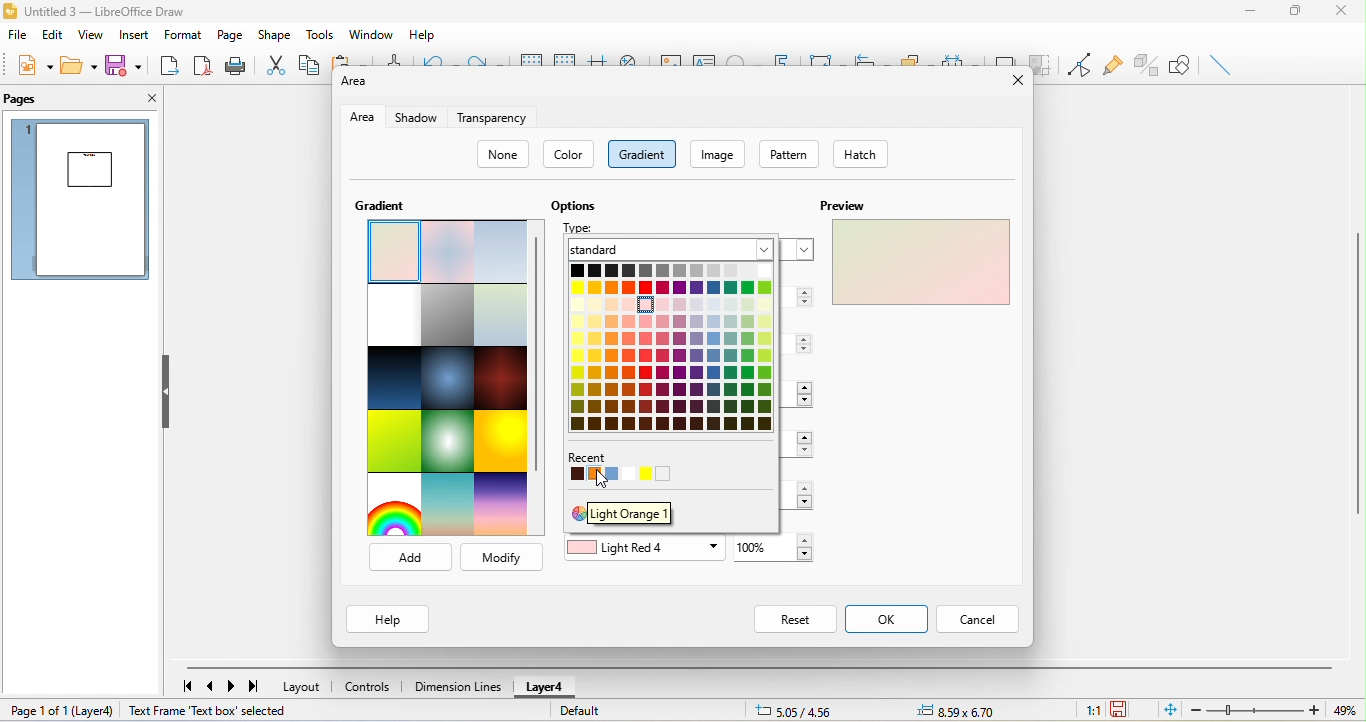 The height and width of the screenshot is (722, 1366). What do you see at coordinates (567, 57) in the screenshot?
I see `snap to grids` at bounding box center [567, 57].